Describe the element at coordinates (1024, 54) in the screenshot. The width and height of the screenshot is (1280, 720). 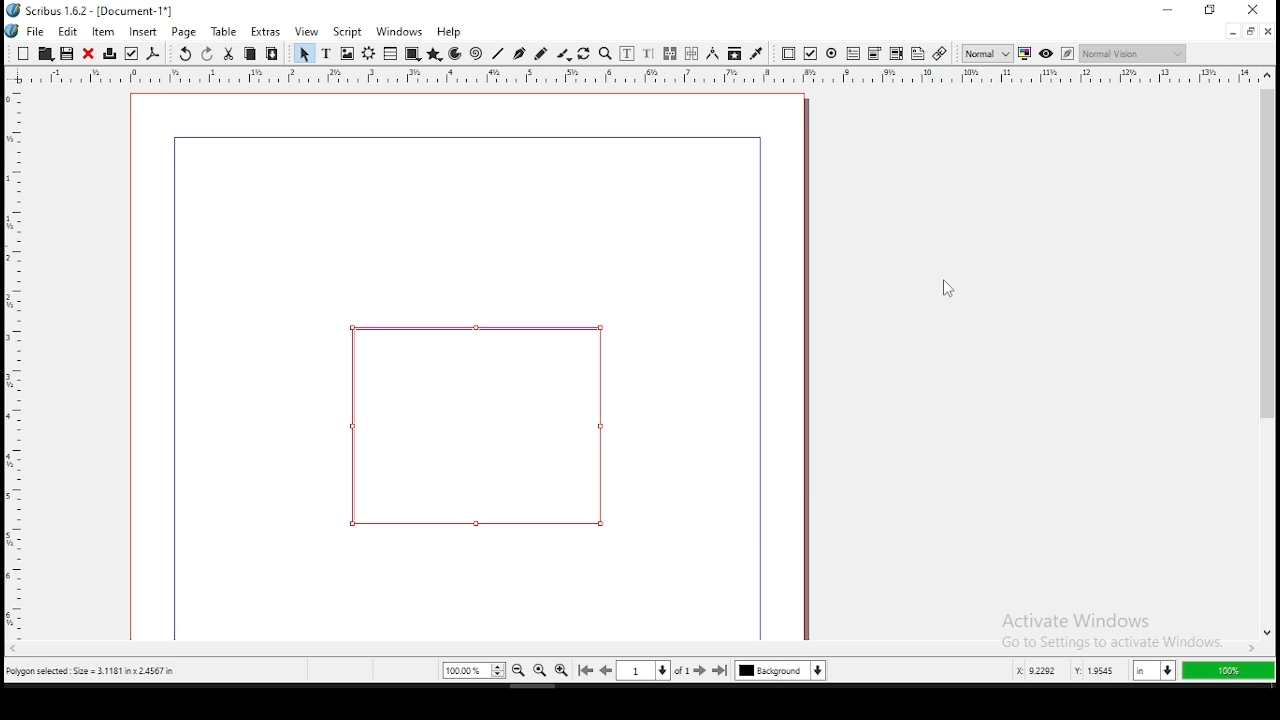
I see `toggle color management system` at that location.